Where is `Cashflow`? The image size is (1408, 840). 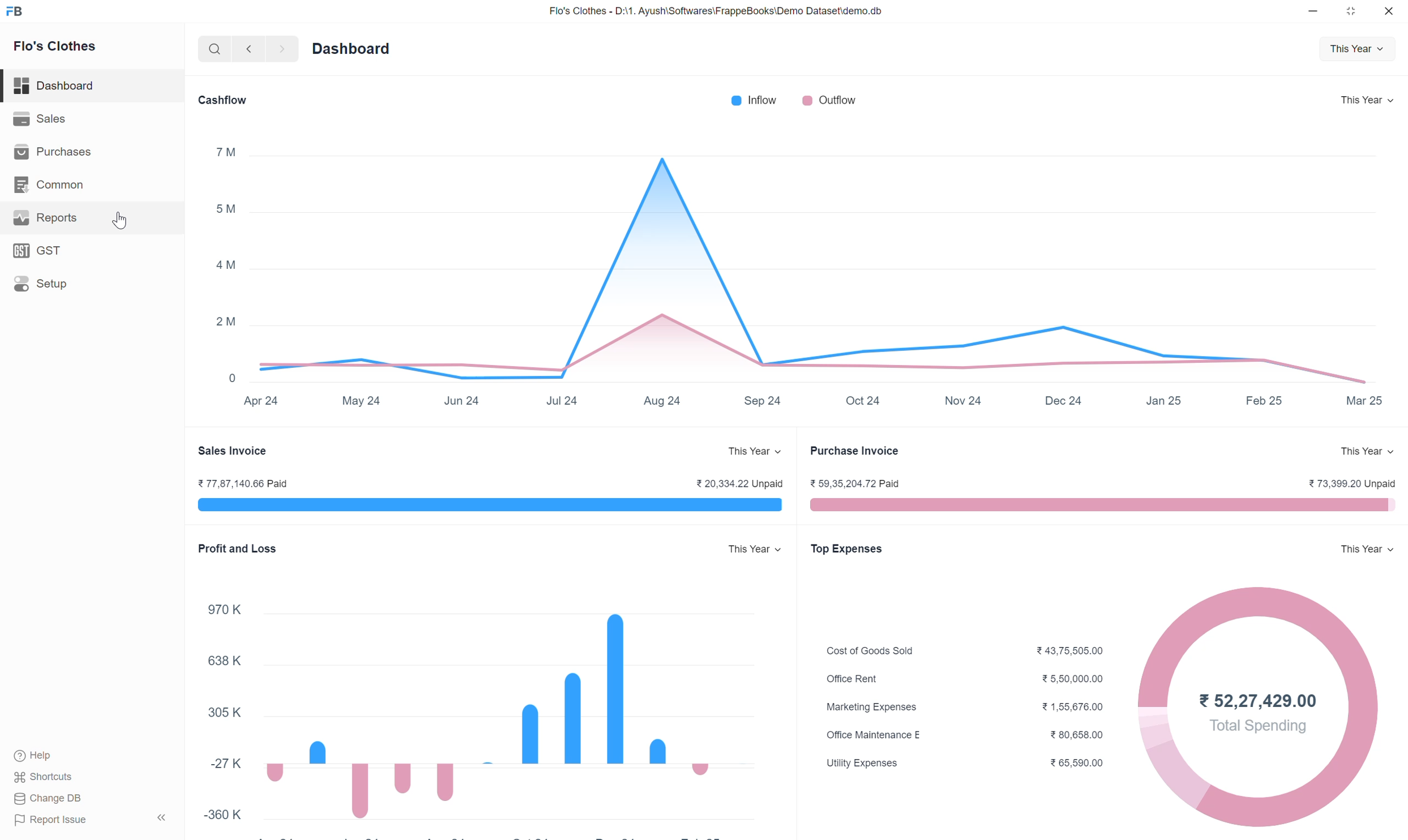
Cashflow is located at coordinates (227, 98).